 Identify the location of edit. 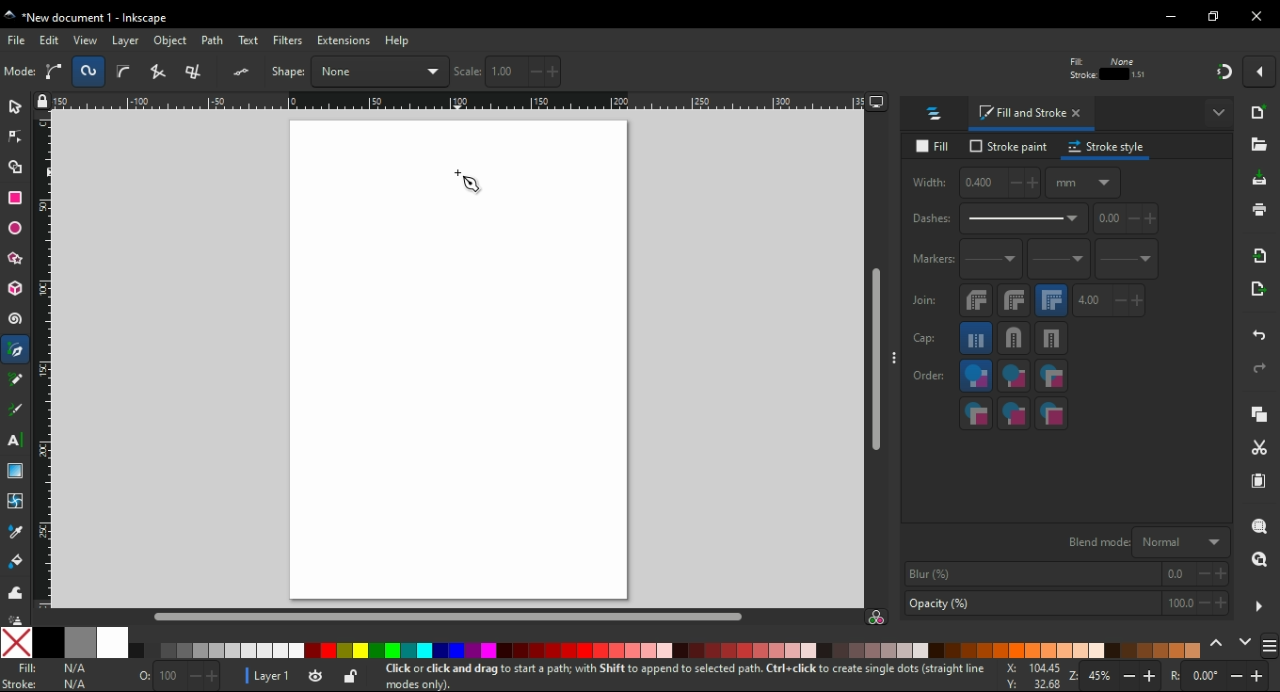
(50, 40).